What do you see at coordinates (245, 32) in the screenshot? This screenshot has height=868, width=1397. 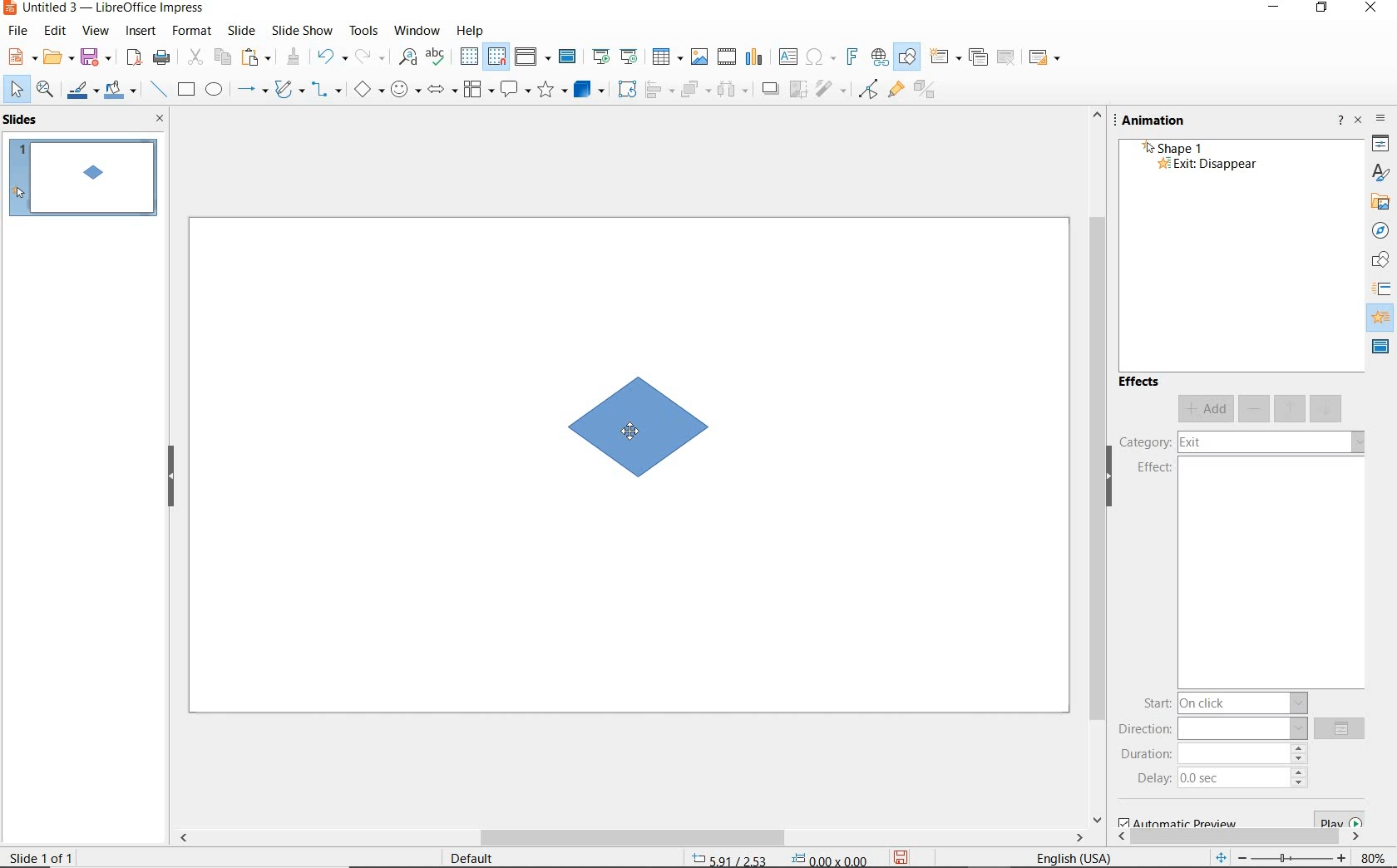 I see `slide` at bounding box center [245, 32].